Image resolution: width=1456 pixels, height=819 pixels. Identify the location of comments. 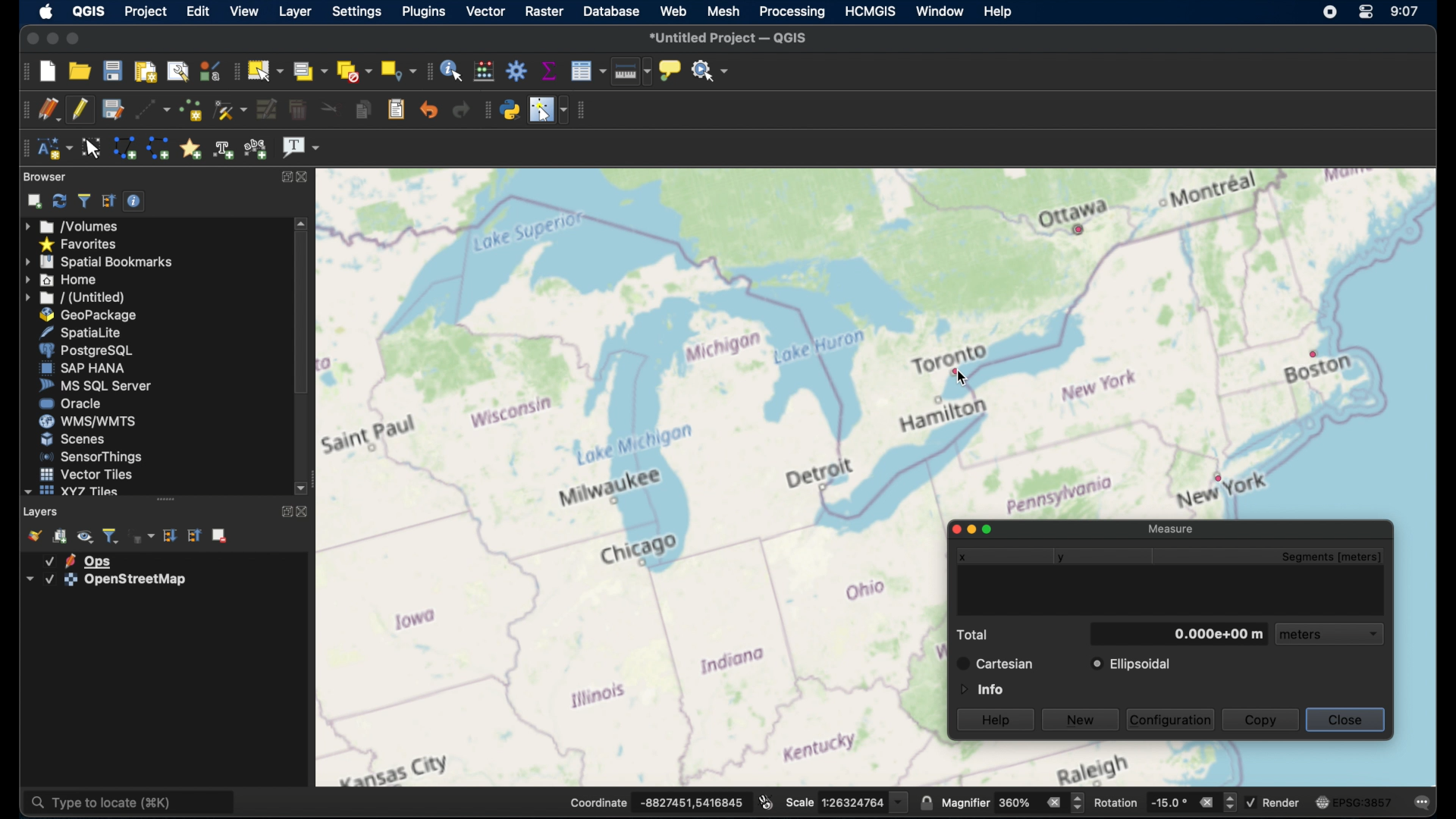
(1423, 801).